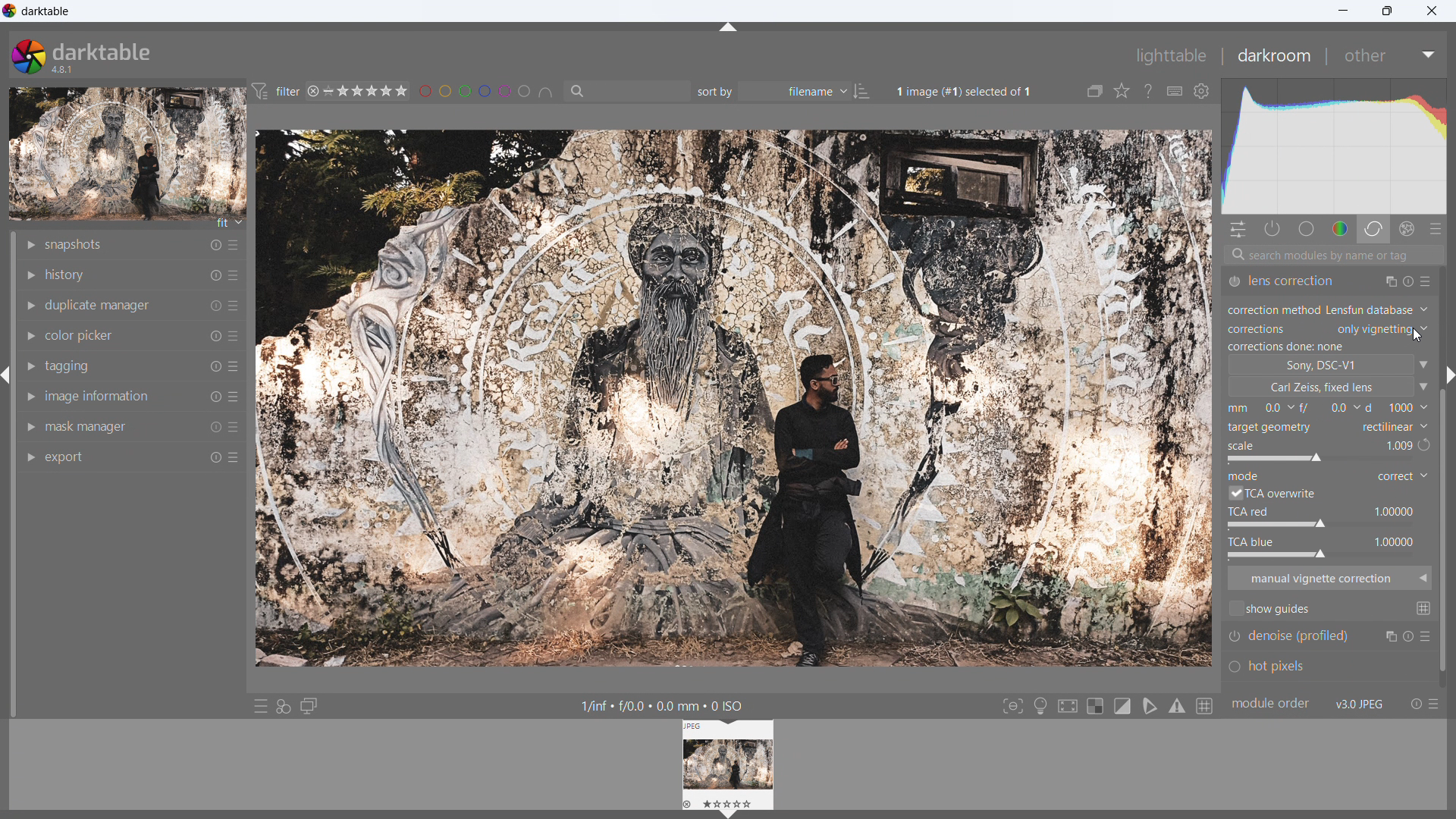 The image size is (1456, 819). What do you see at coordinates (30, 273) in the screenshot?
I see `show module` at bounding box center [30, 273].